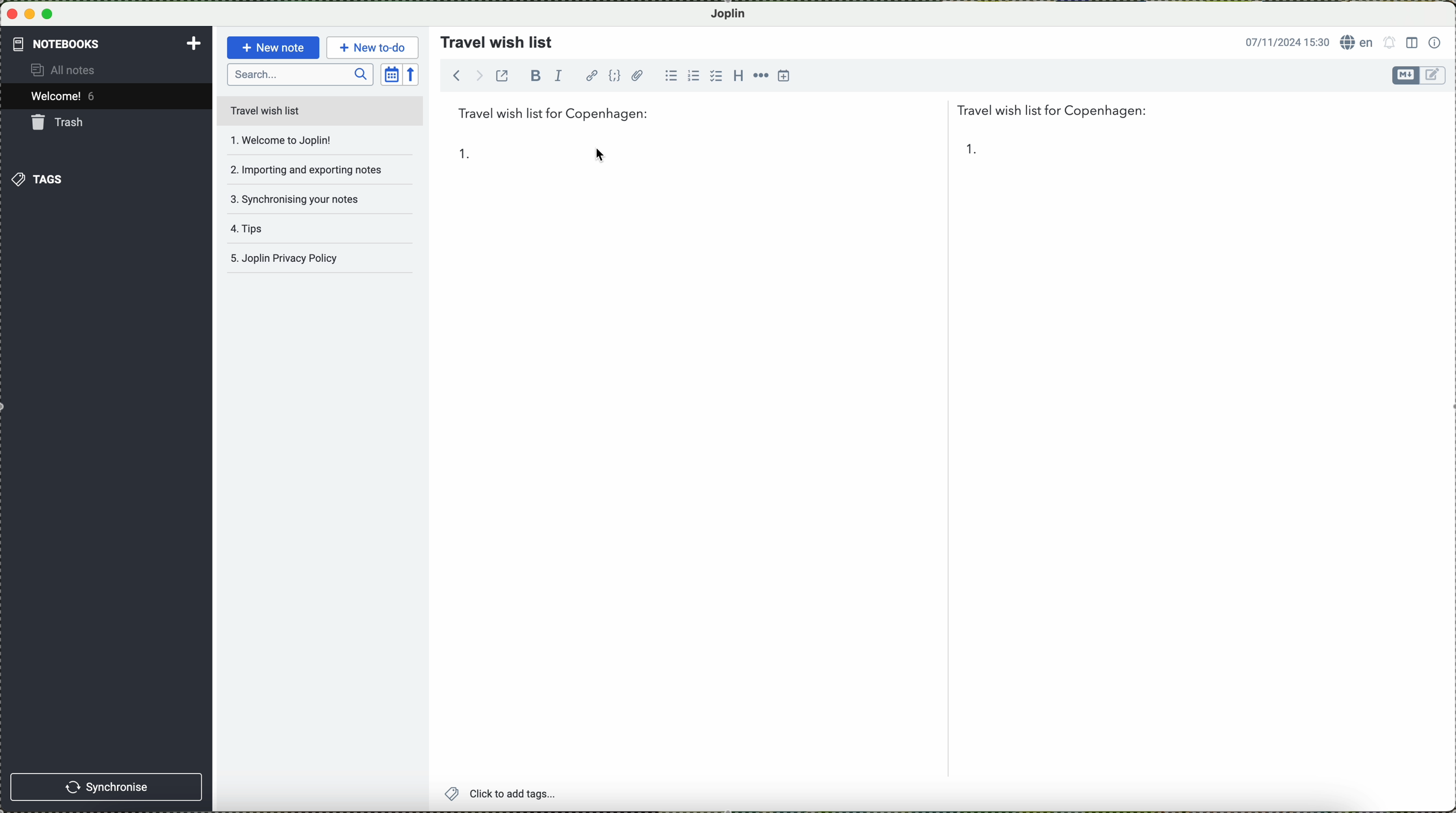 This screenshot has height=813, width=1456. Describe the element at coordinates (605, 157) in the screenshot. I see `cursor` at that location.